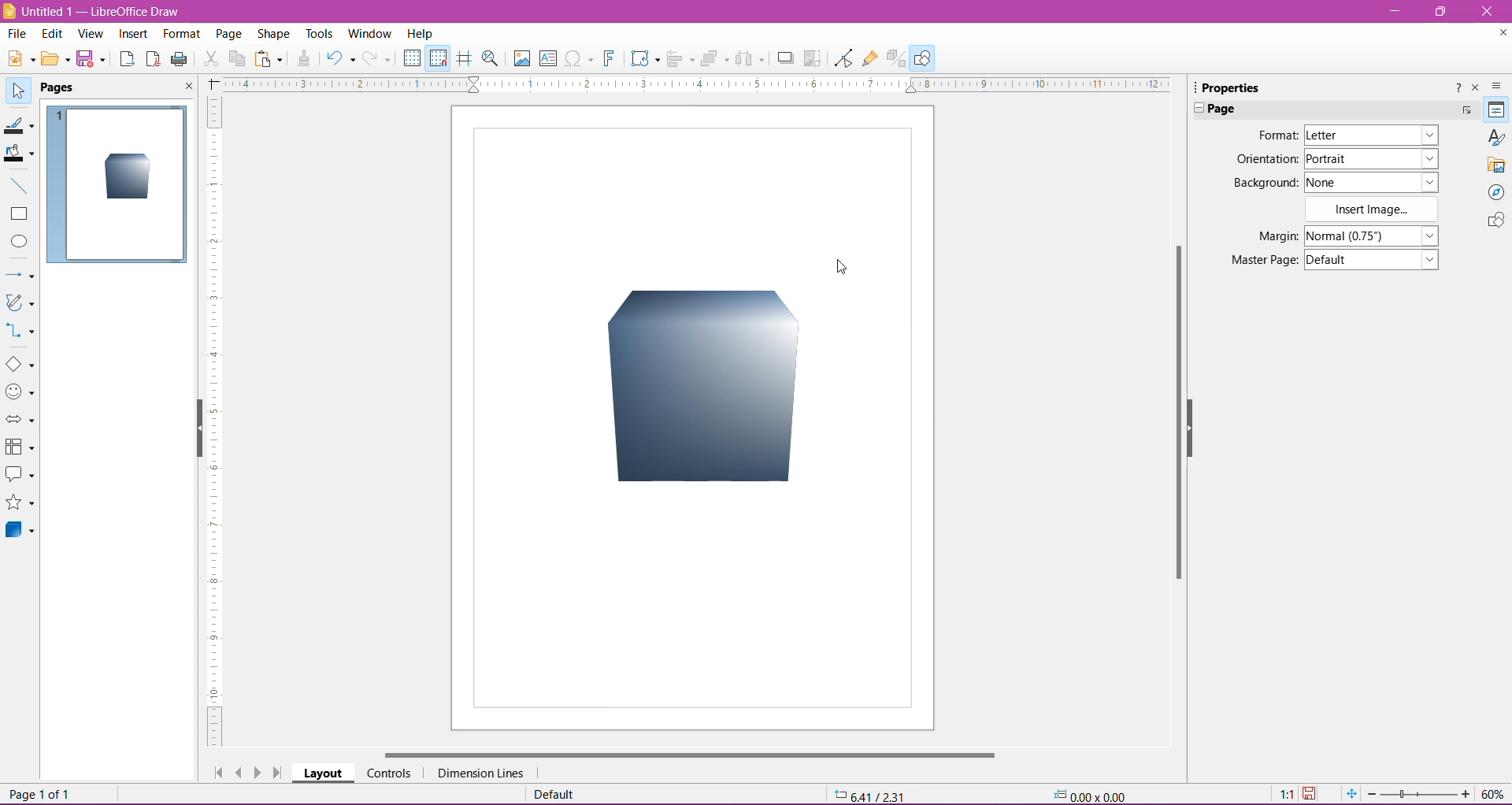  Describe the element at coordinates (785, 59) in the screenshot. I see `Shadow` at that location.